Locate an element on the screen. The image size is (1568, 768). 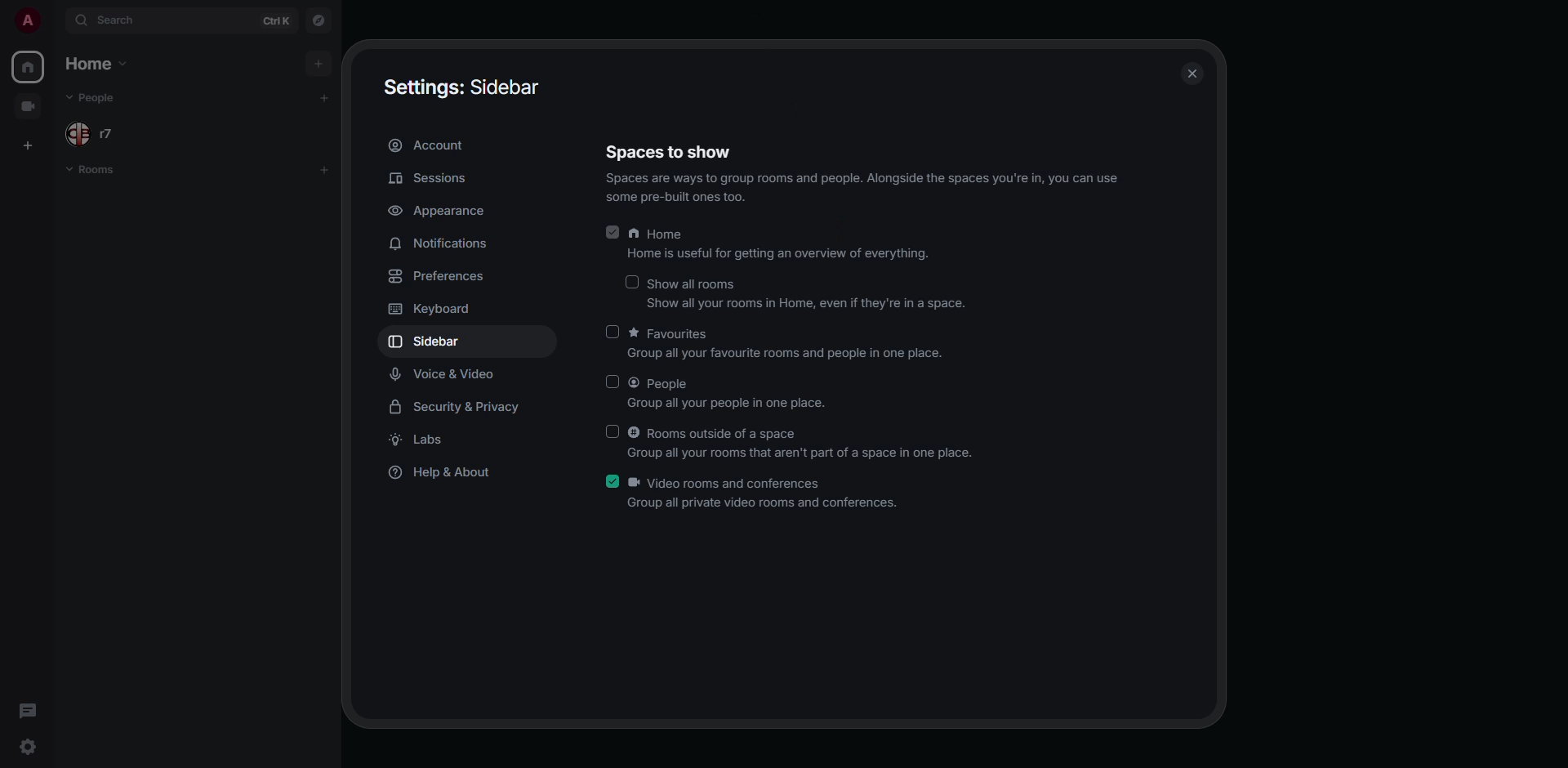
close is located at coordinates (1189, 72).